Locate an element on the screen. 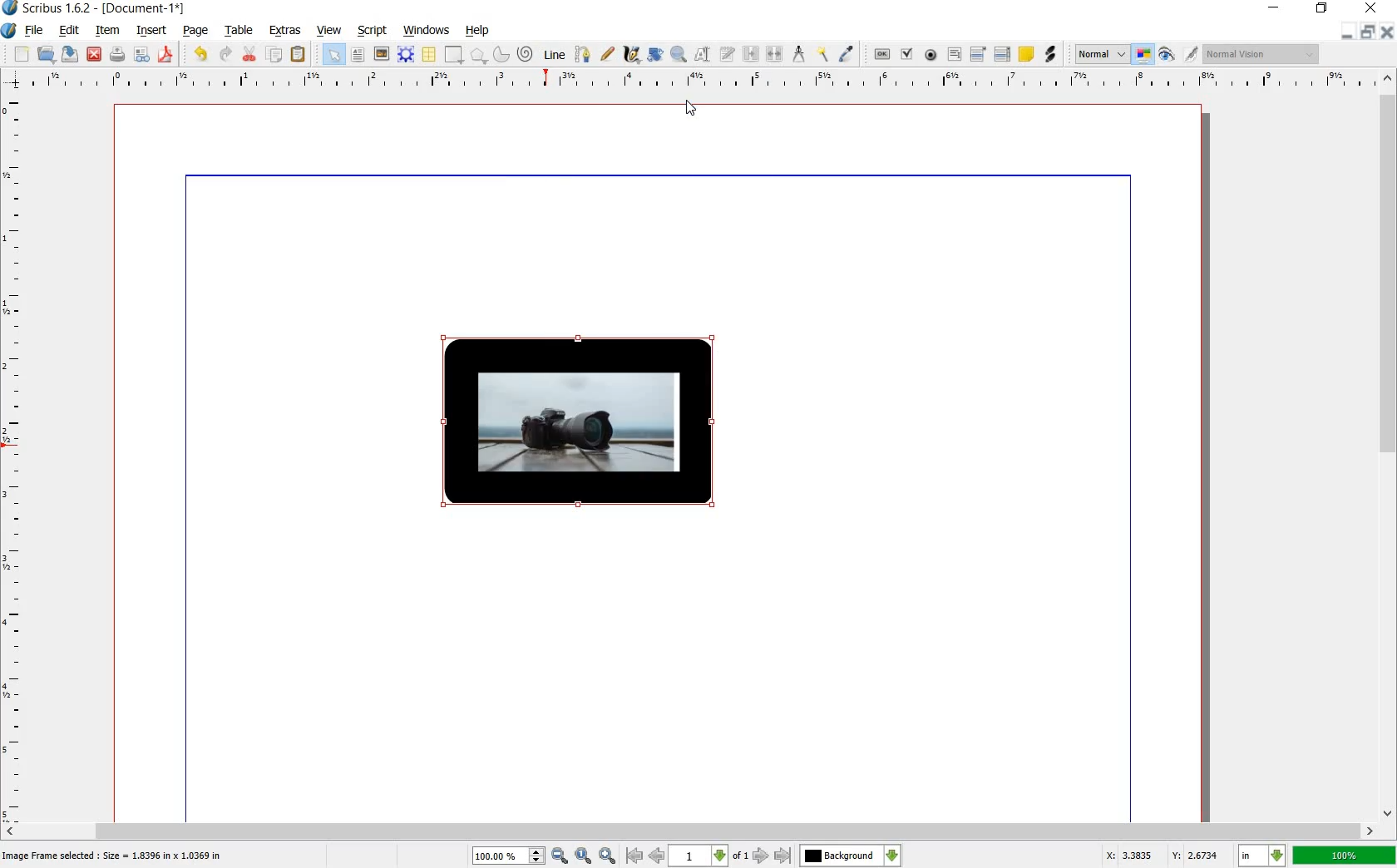  copy is located at coordinates (275, 56).